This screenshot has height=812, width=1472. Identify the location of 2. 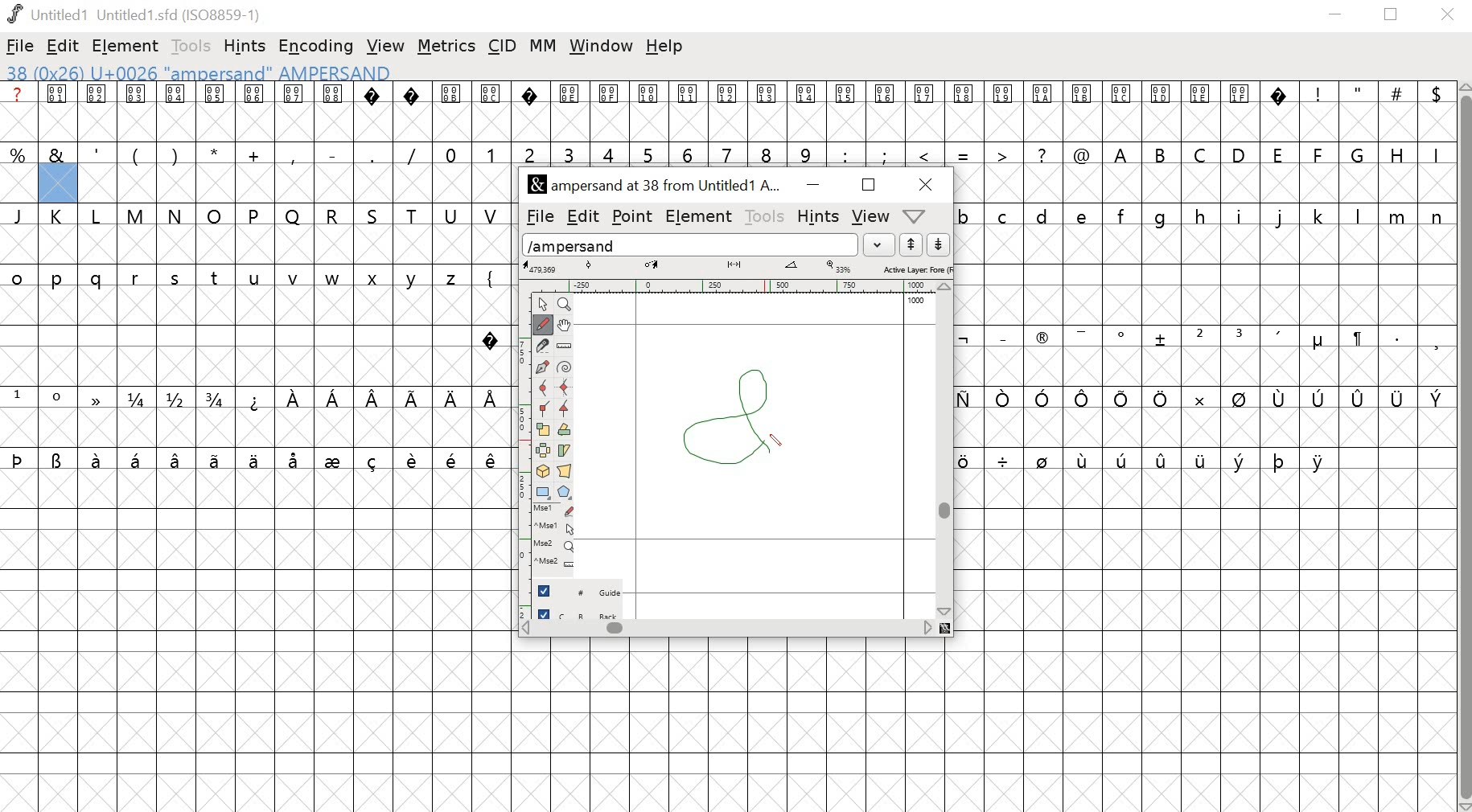
(529, 153).